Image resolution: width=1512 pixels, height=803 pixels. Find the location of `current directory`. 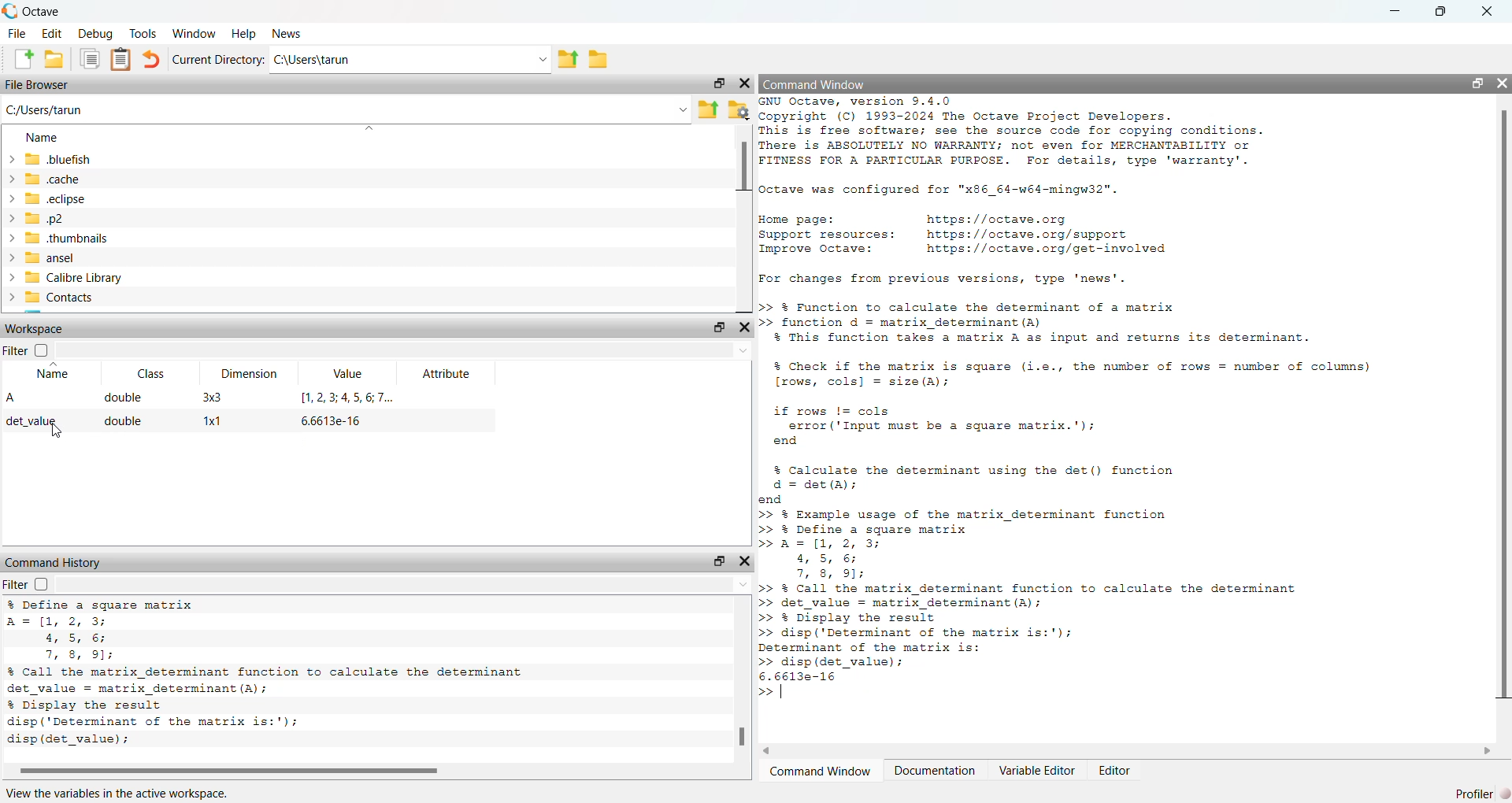

current directory is located at coordinates (218, 58).